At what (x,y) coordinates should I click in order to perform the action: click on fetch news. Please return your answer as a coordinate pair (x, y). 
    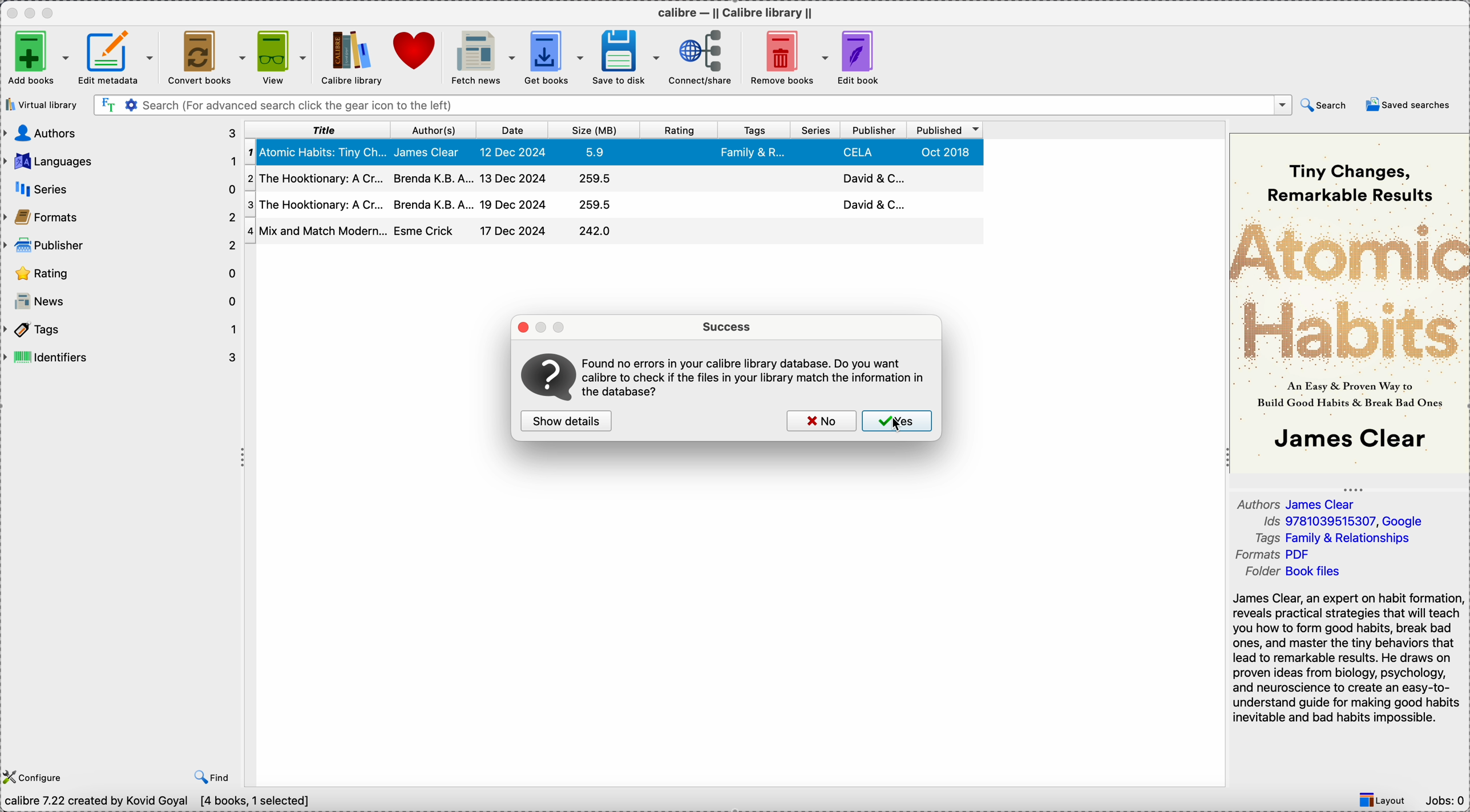
    Looking at the image, I should click on (481, 58).